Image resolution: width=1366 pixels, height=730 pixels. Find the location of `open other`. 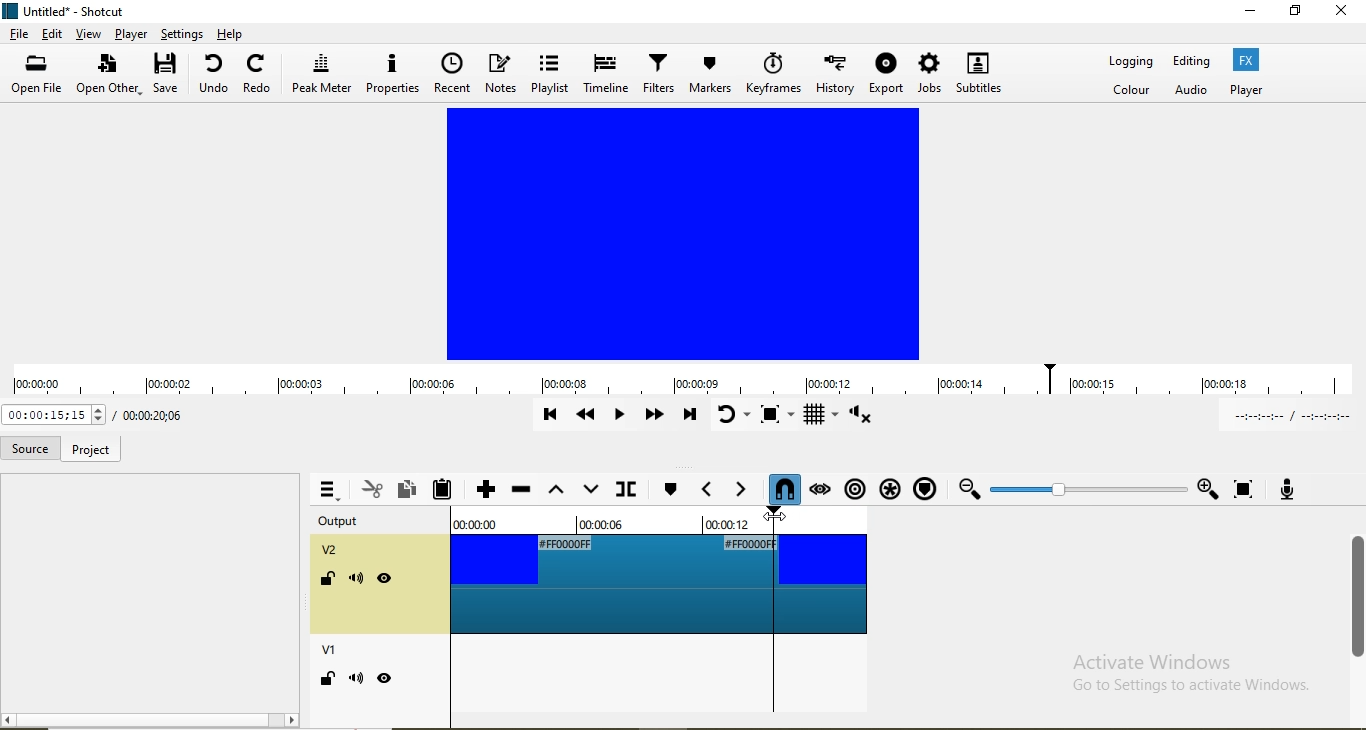

open other is located at coordinates (108, 76).